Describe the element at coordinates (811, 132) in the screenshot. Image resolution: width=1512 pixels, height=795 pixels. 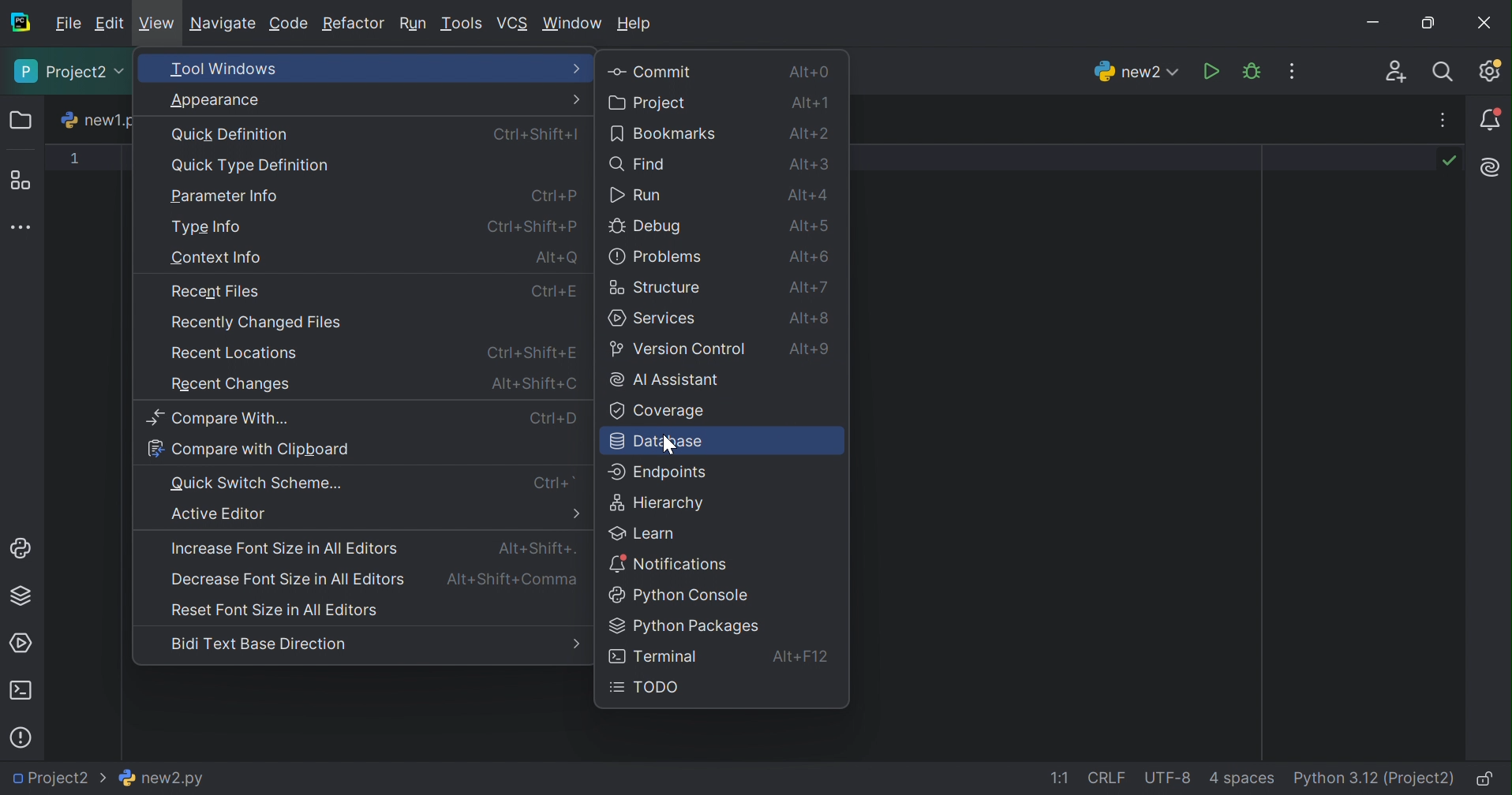
I see `Alt+2` at that location.